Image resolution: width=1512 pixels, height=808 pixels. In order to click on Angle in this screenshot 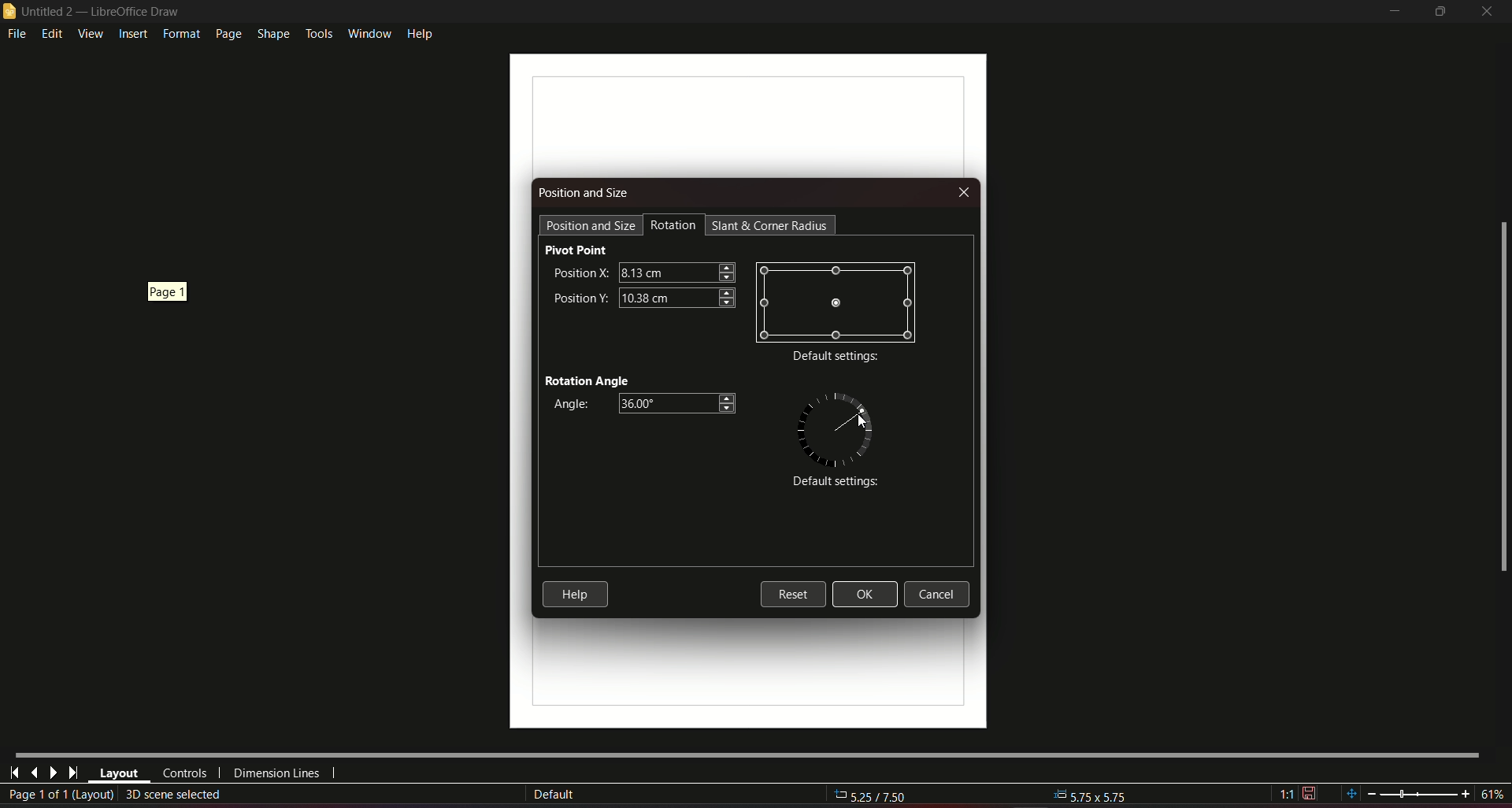, I will do `click(568, 405)`.